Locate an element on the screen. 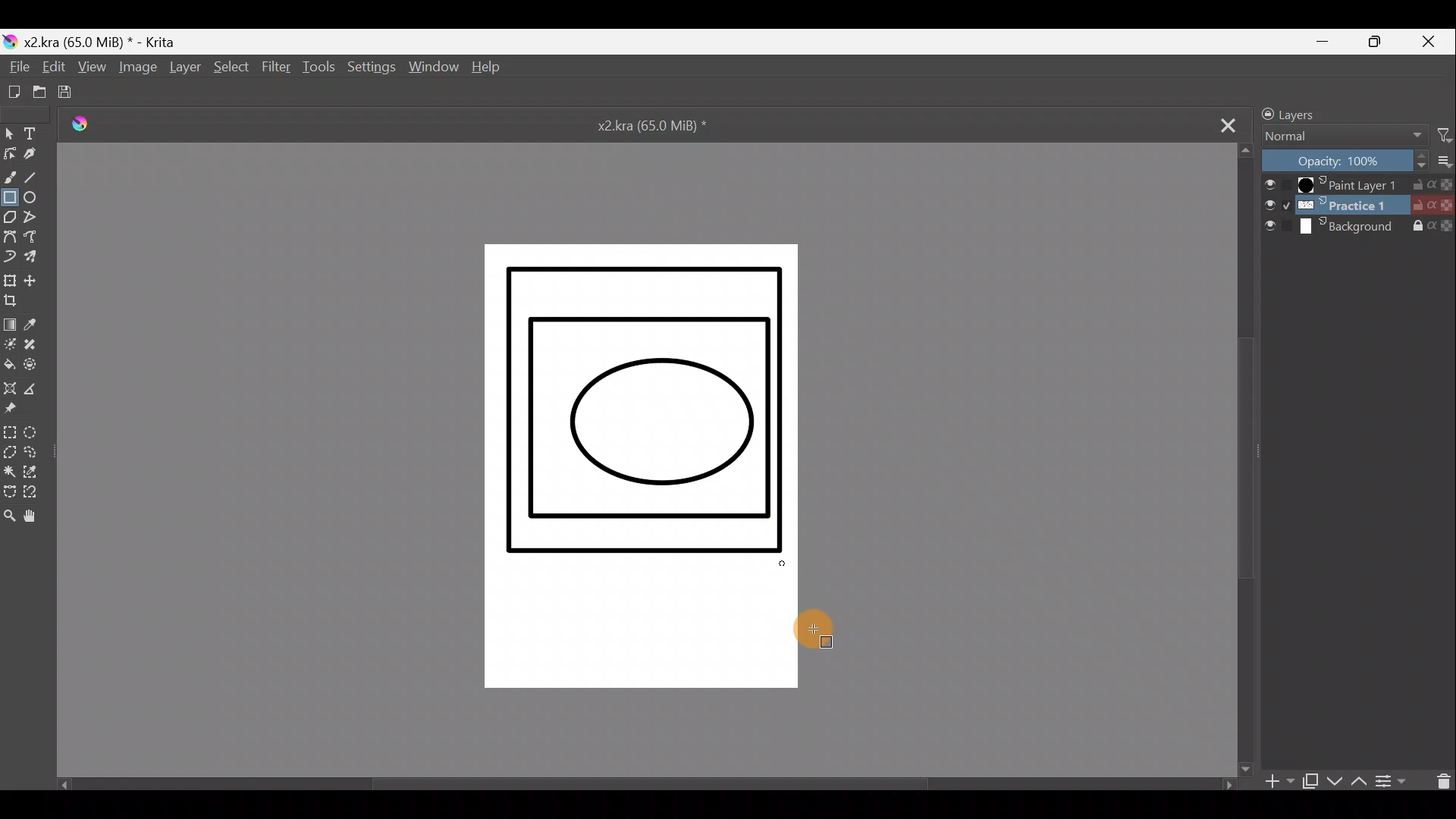 Image resolution: width=1456 pixels, height=819 pixels. Filter is located at coordinates (1445, 133).